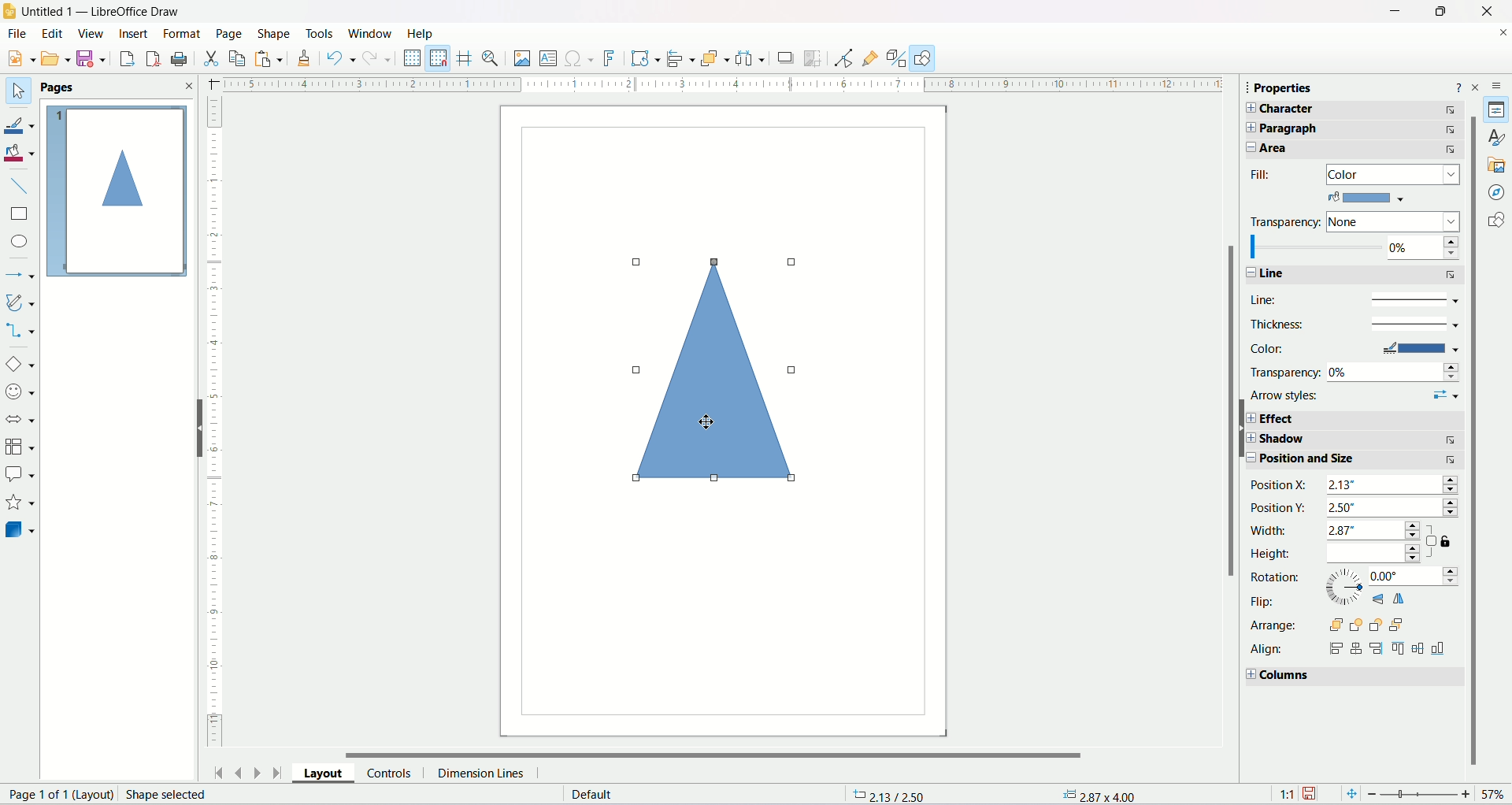  Describe the element at coordinates (57, 87) in the screenshot. I see `Pages` at that location.